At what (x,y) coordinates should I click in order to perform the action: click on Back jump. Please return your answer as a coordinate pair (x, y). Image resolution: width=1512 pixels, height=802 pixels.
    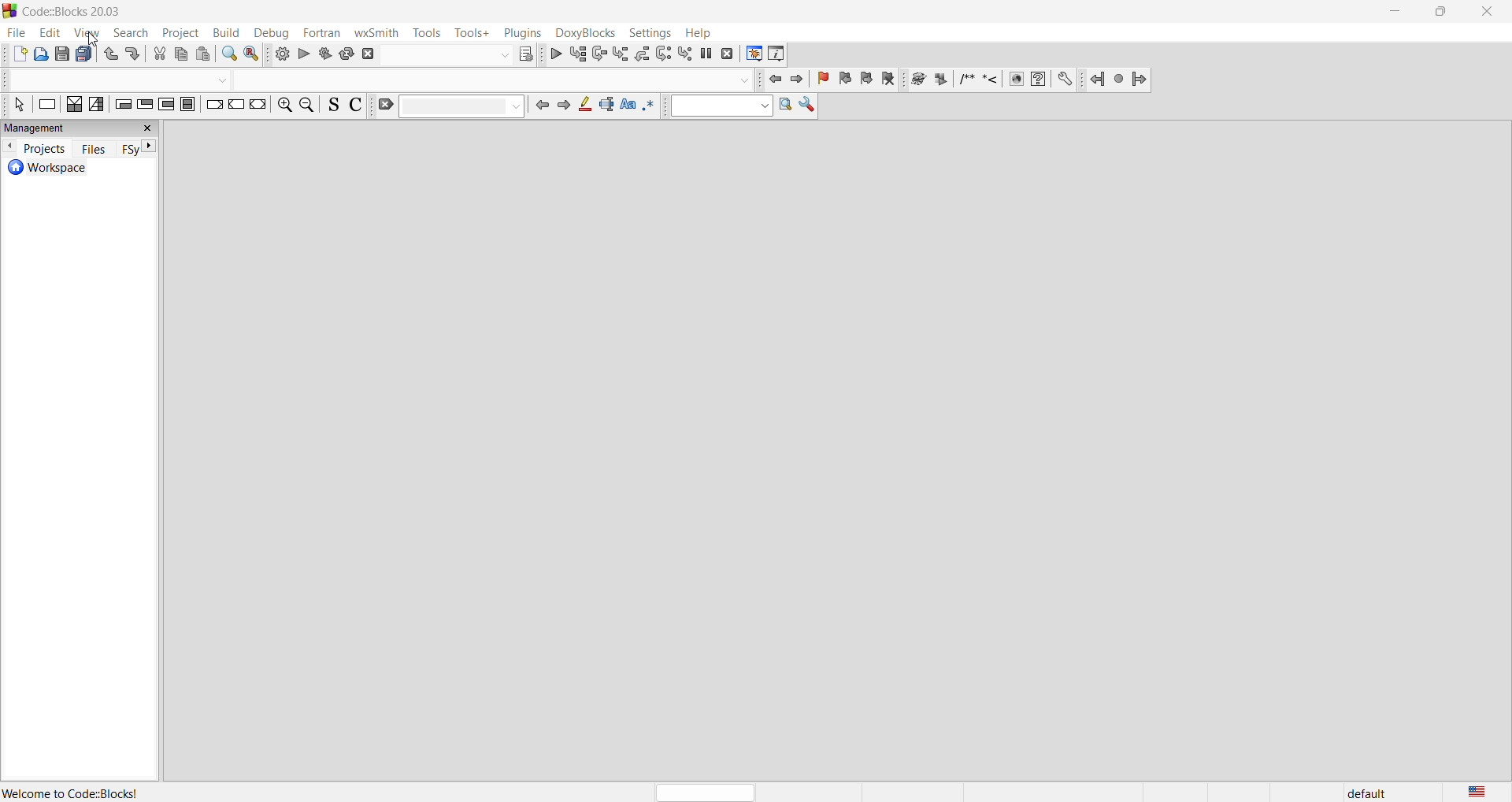
    Looking at the image, I should click on (1096, 80).